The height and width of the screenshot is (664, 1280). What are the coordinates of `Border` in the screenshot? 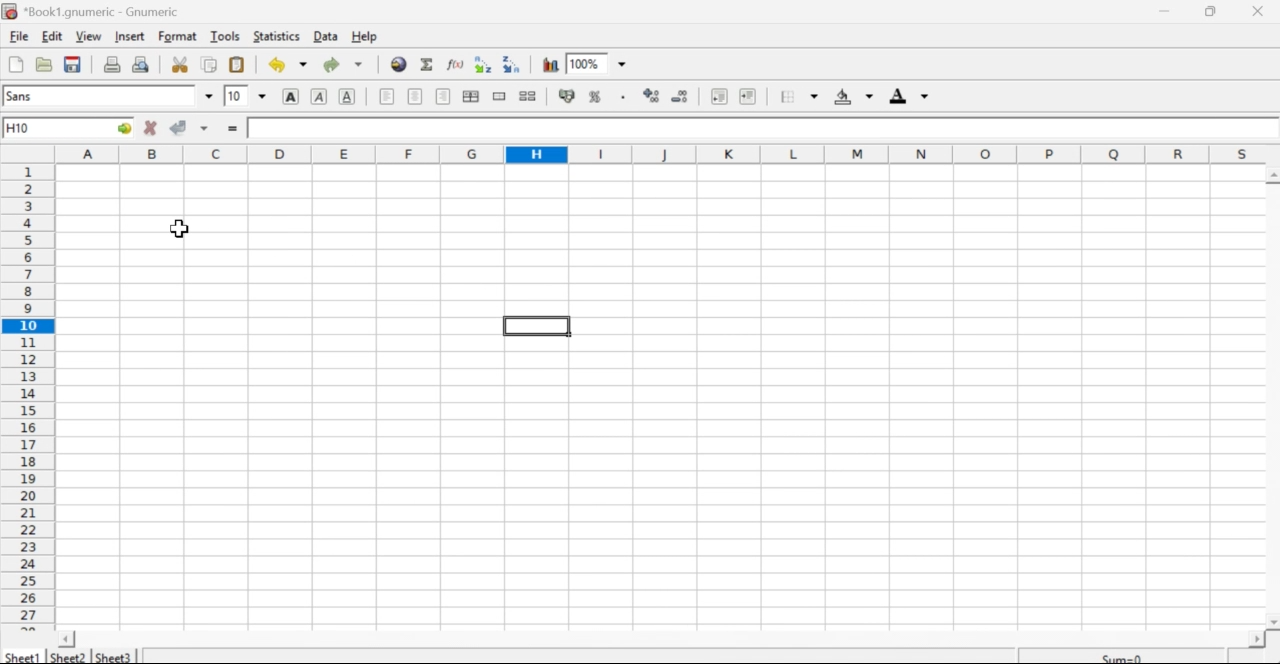 It's located at (786, 95).